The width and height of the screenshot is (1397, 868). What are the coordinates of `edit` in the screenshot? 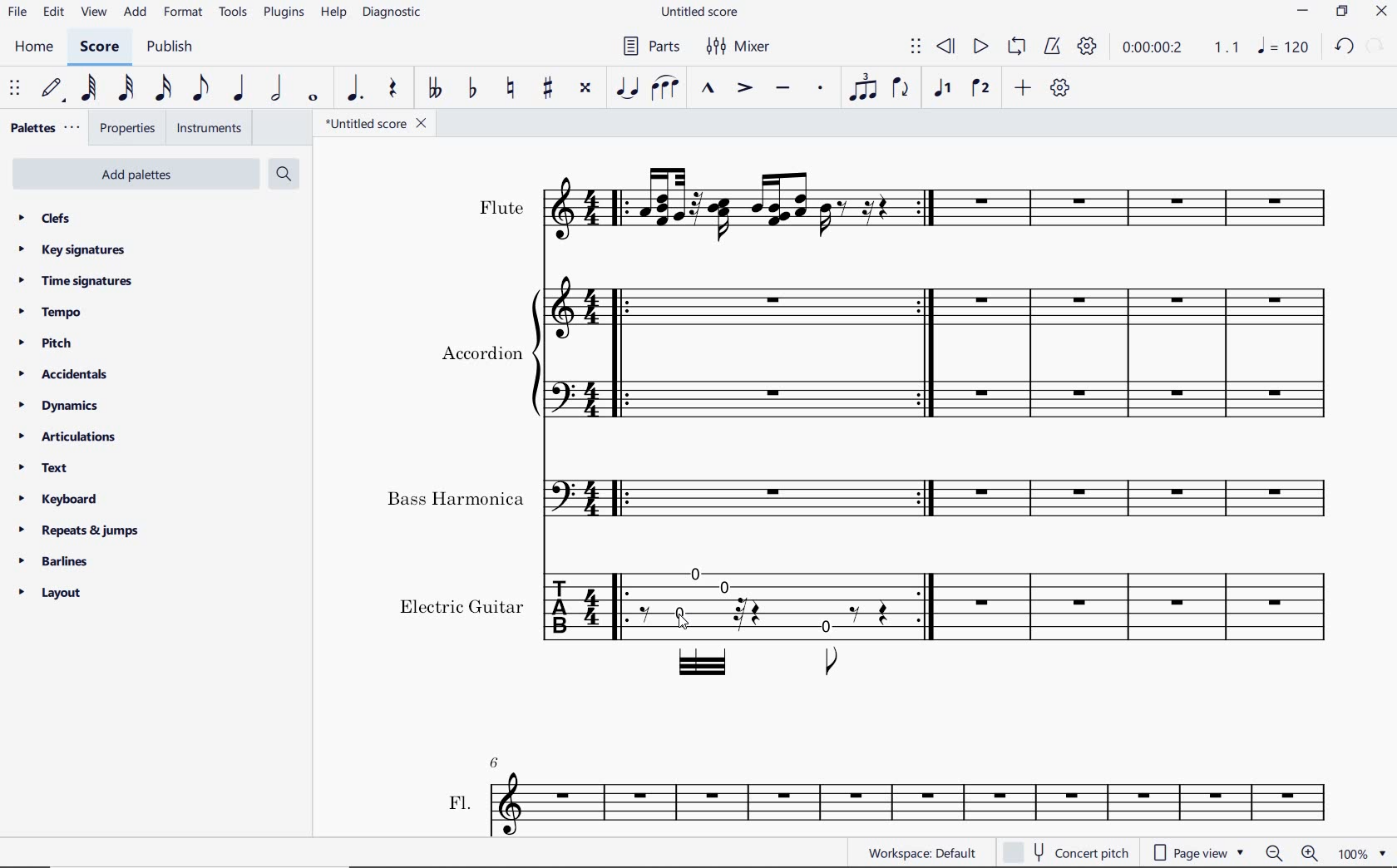 It's located at (53, 14).